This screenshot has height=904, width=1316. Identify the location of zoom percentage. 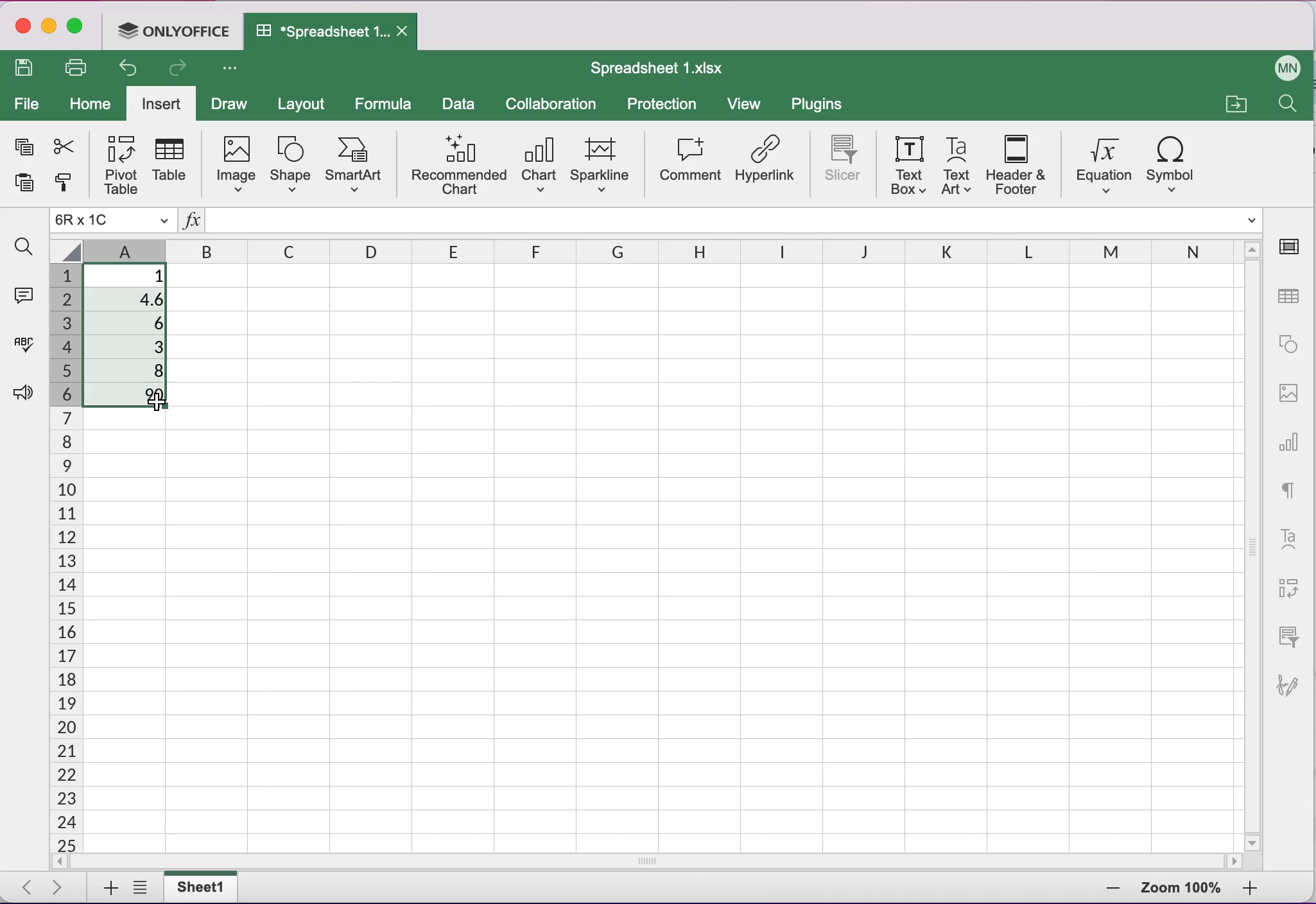
(1182, 887).